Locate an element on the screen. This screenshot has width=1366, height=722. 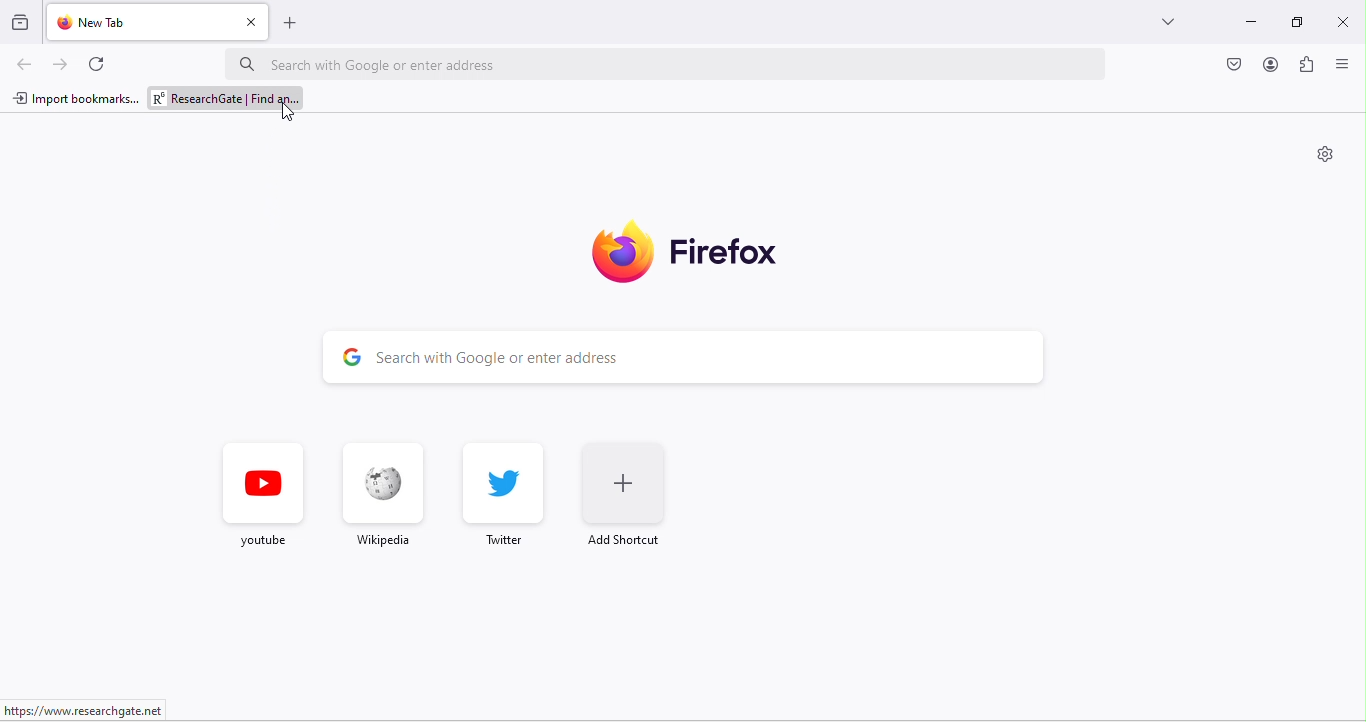
twitter is located at coordinates (504, 494).